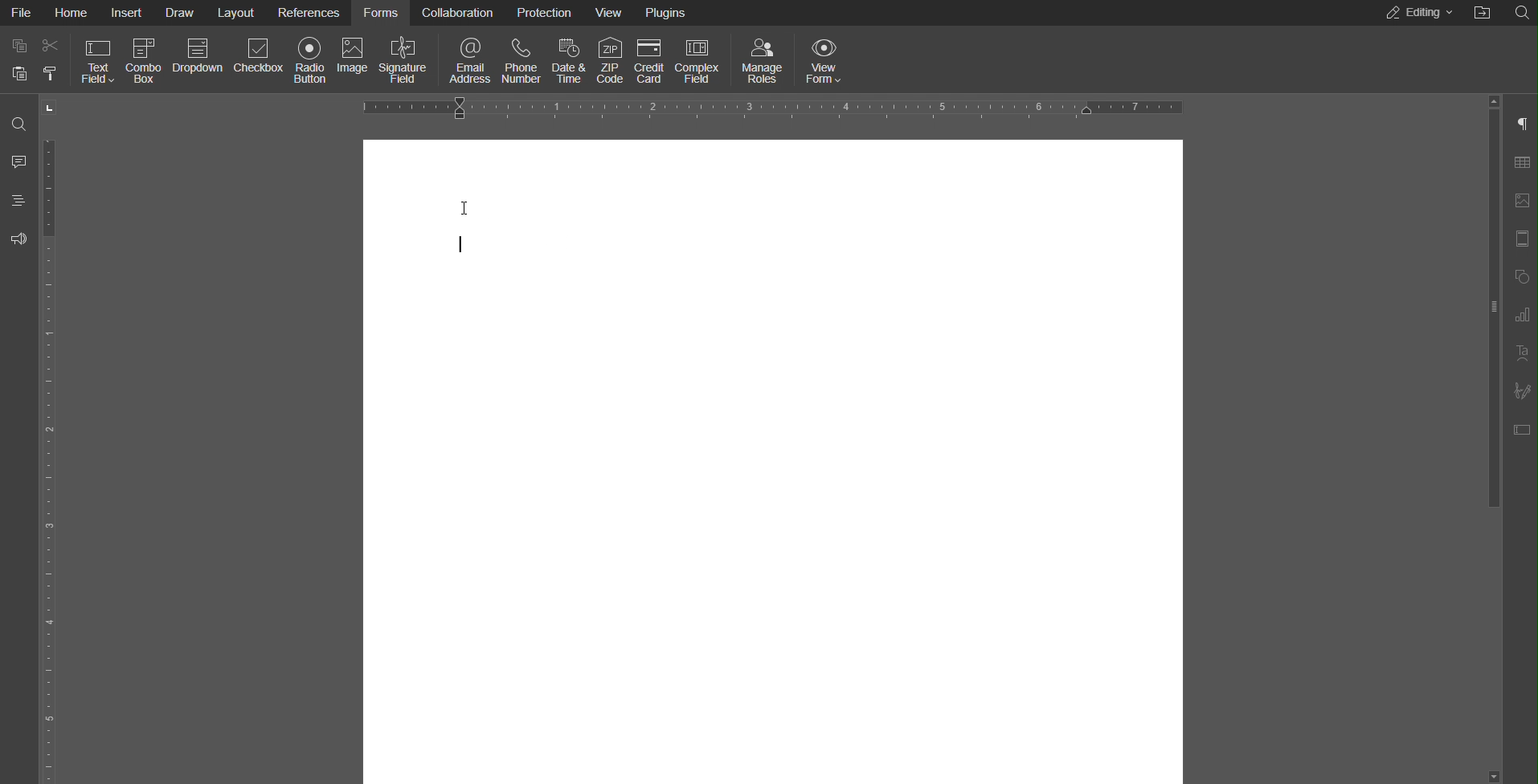  I want to click on Draw, so click(182, 13).